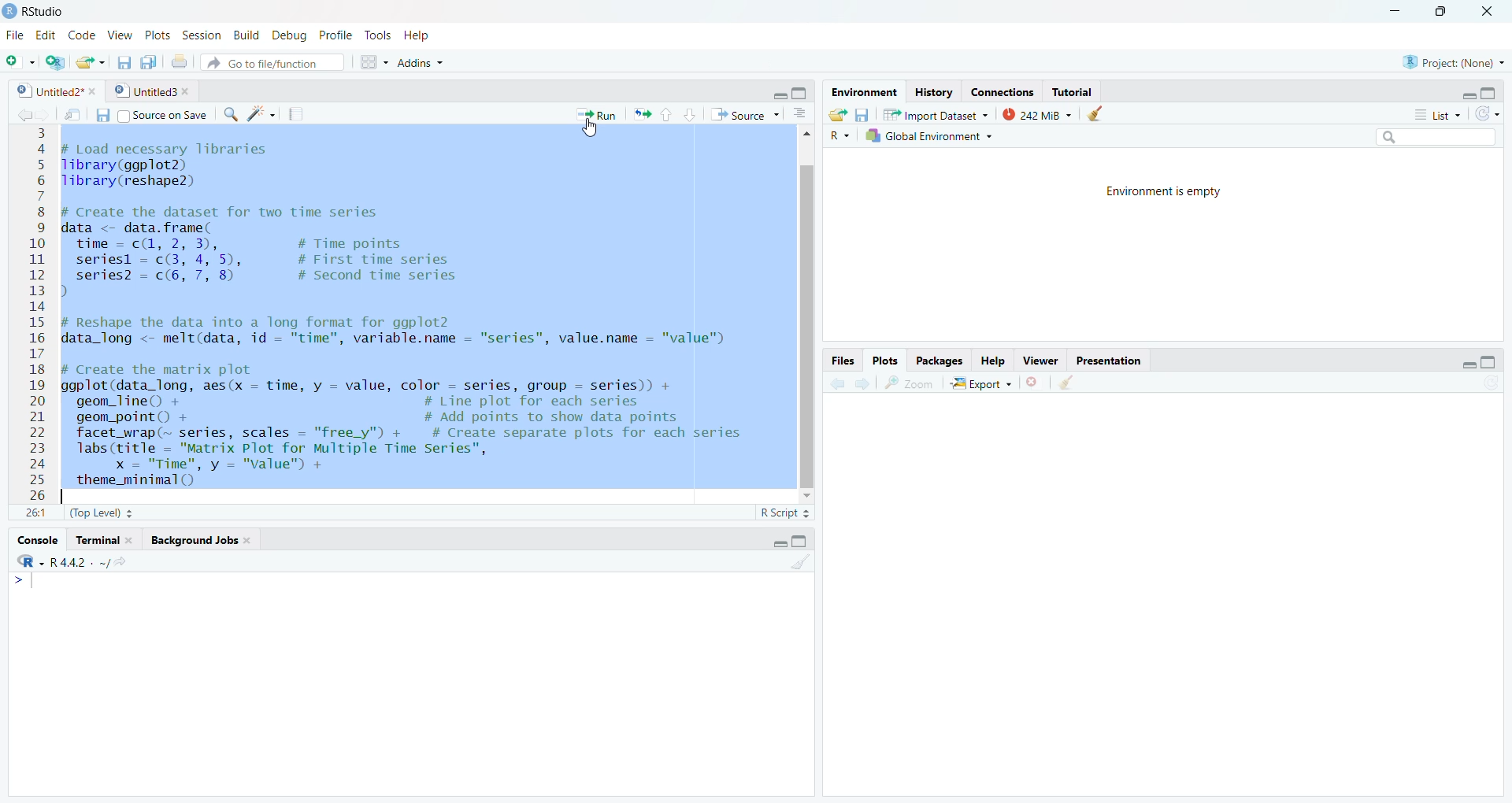 This screenshot has height=803, width=1512. What do you see at coordinates (31, 561) in the screenshot?
I see `R ` at bounding box center [31, 561].